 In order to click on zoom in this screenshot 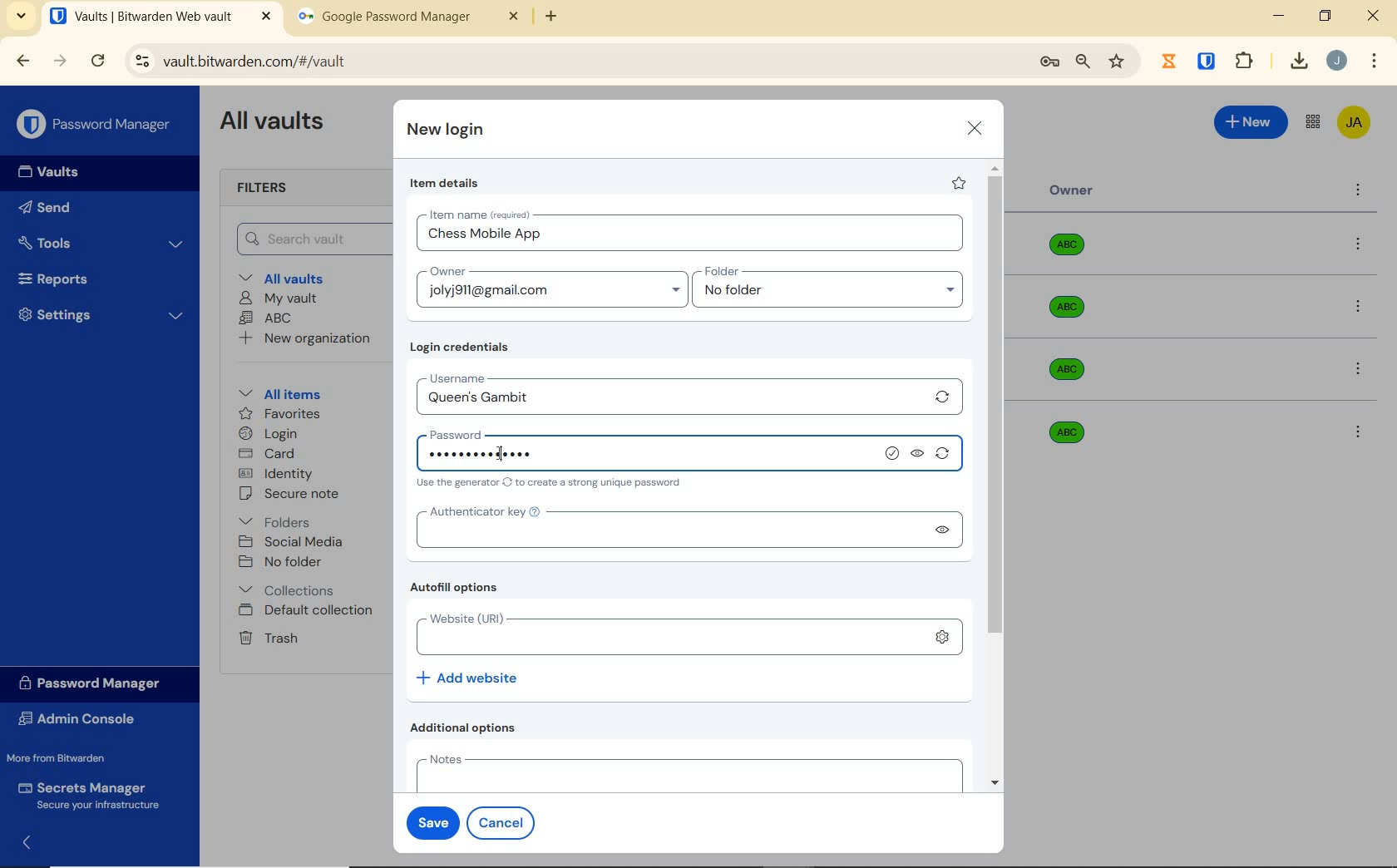, I will do `click(1082, 62)`.